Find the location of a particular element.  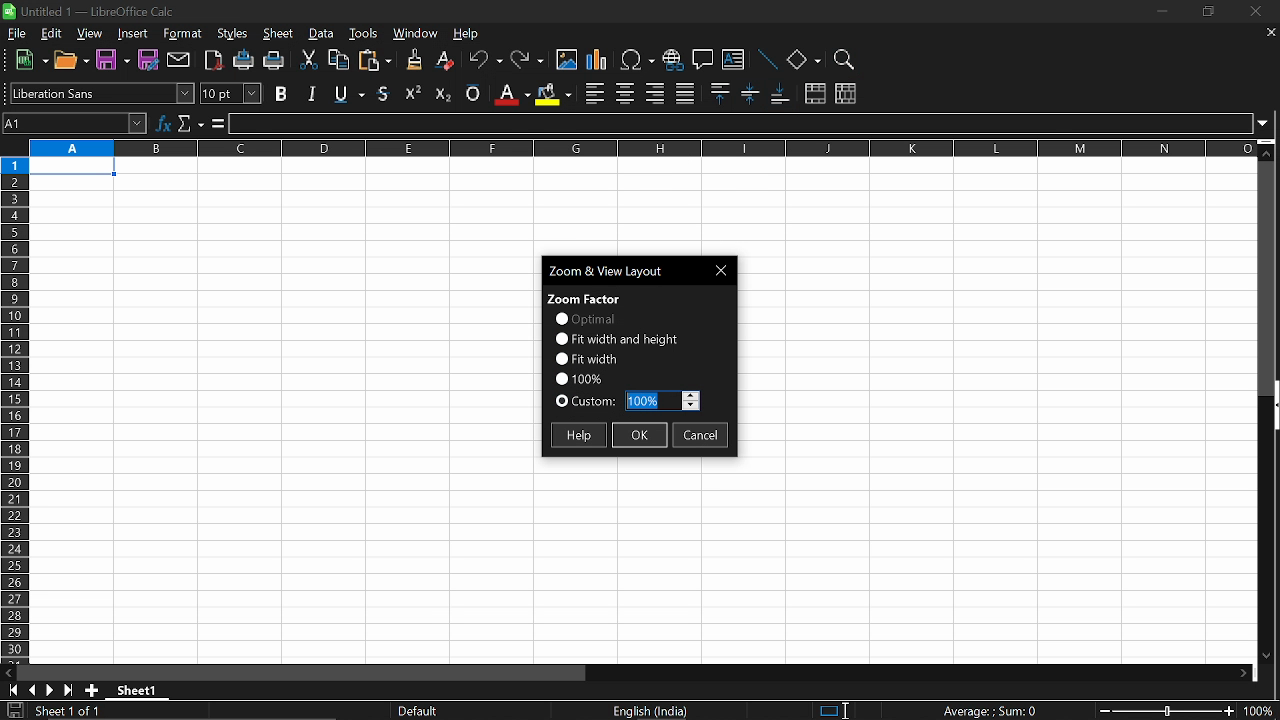

bold is located at coordinates (283, 93).